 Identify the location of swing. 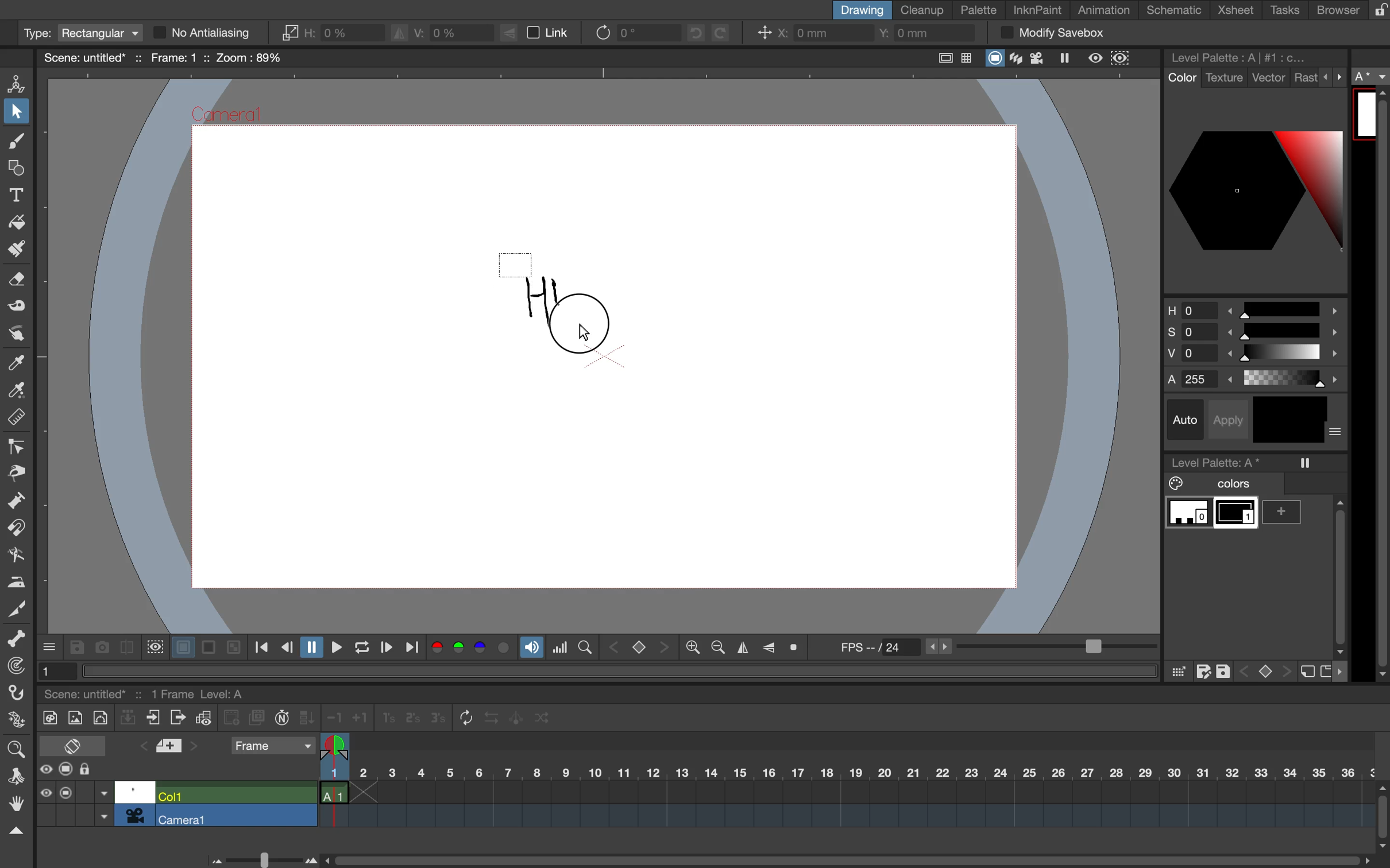
(518, 716).